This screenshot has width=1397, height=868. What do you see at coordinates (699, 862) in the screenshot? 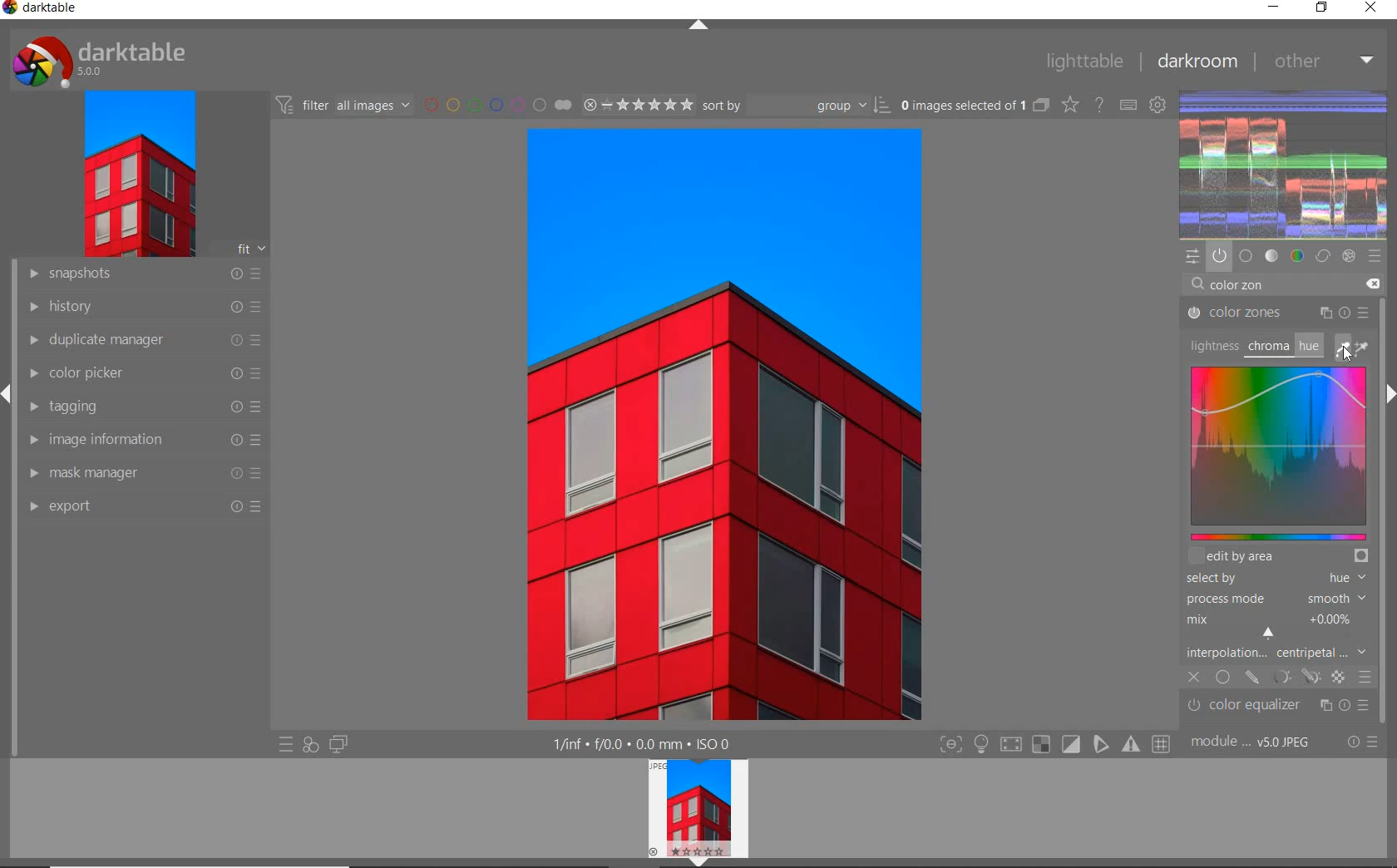
I see `expand/collapse` at bounding box center [699, 862].